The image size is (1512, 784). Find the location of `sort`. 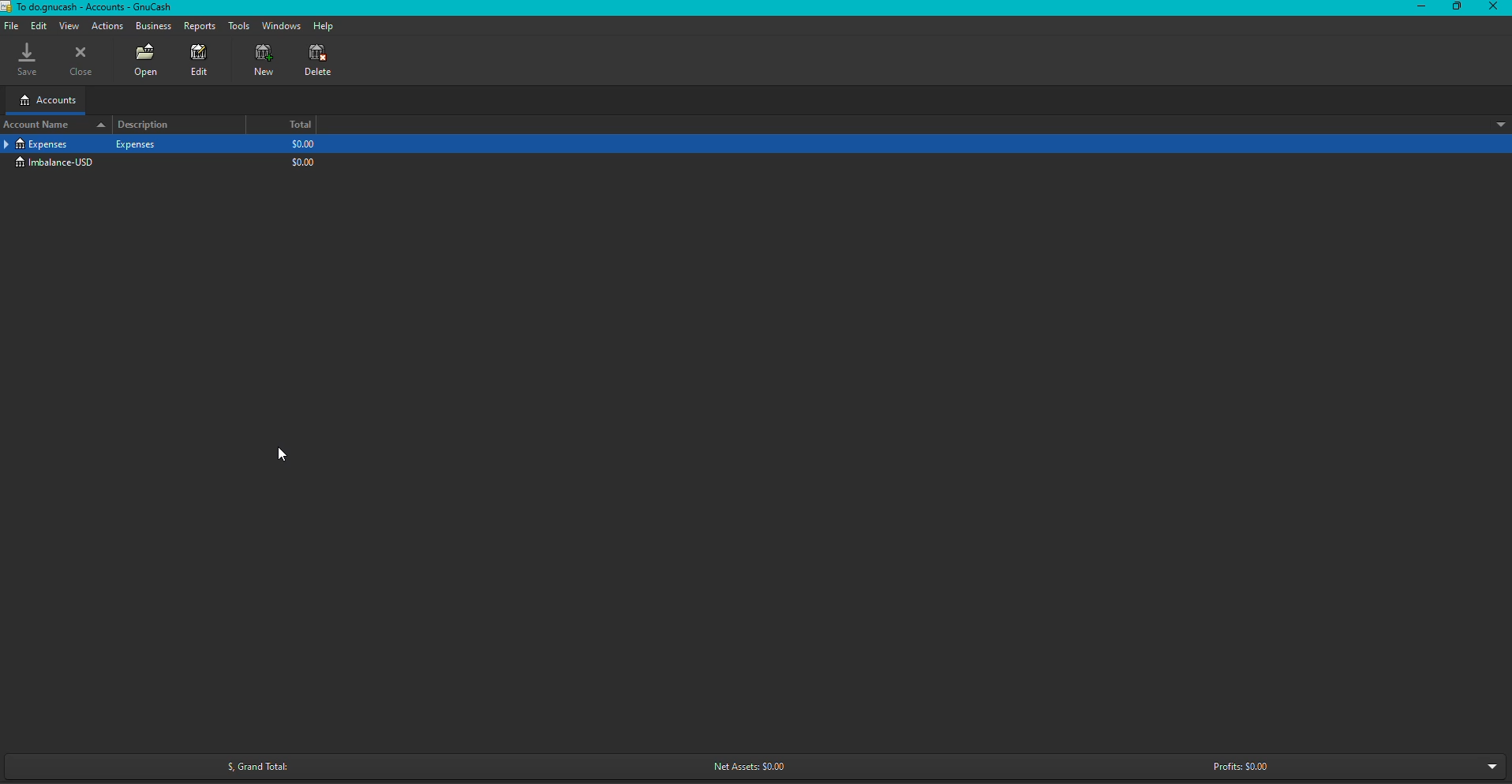

sort is located at coordinates (1495, 124).